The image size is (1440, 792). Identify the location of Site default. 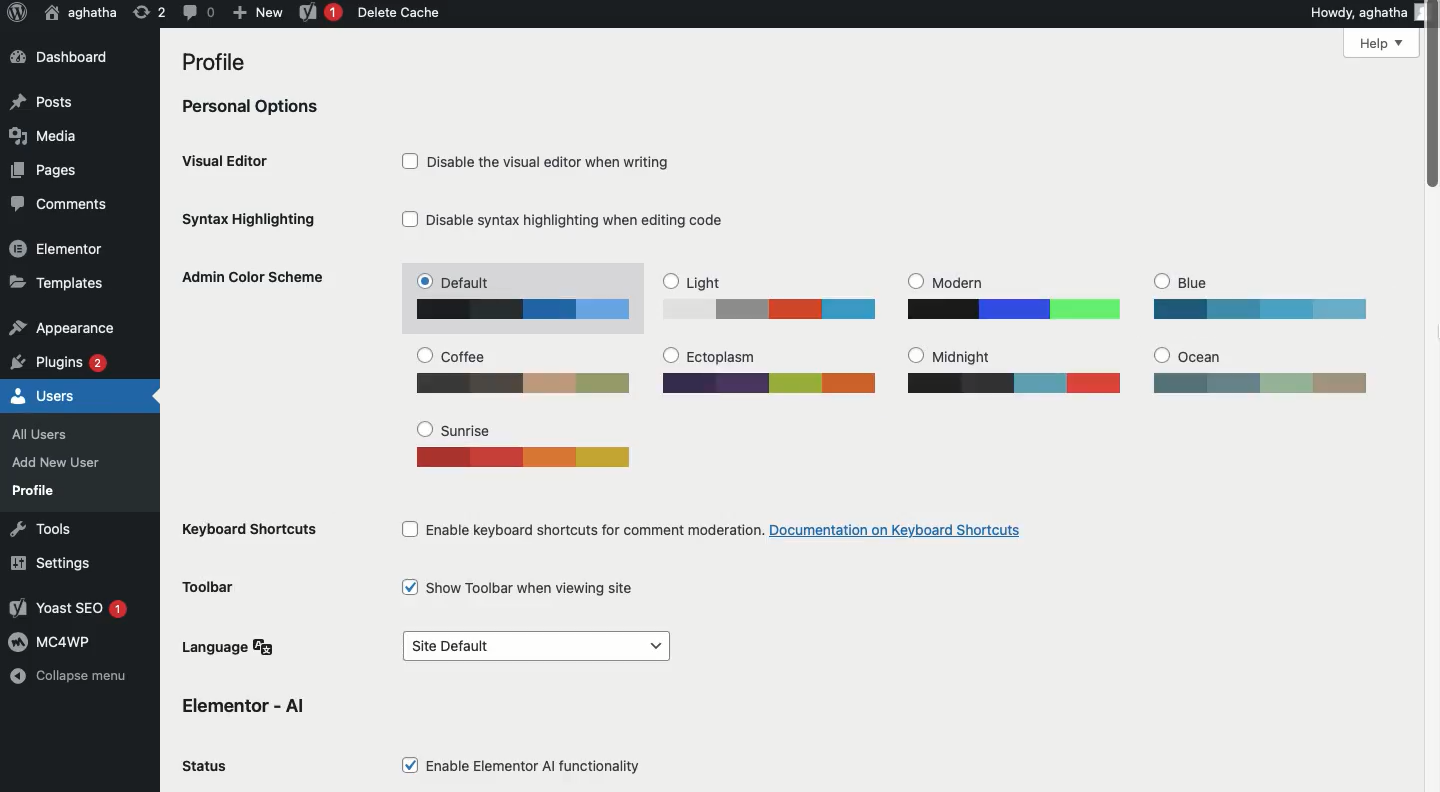
(534, 645).